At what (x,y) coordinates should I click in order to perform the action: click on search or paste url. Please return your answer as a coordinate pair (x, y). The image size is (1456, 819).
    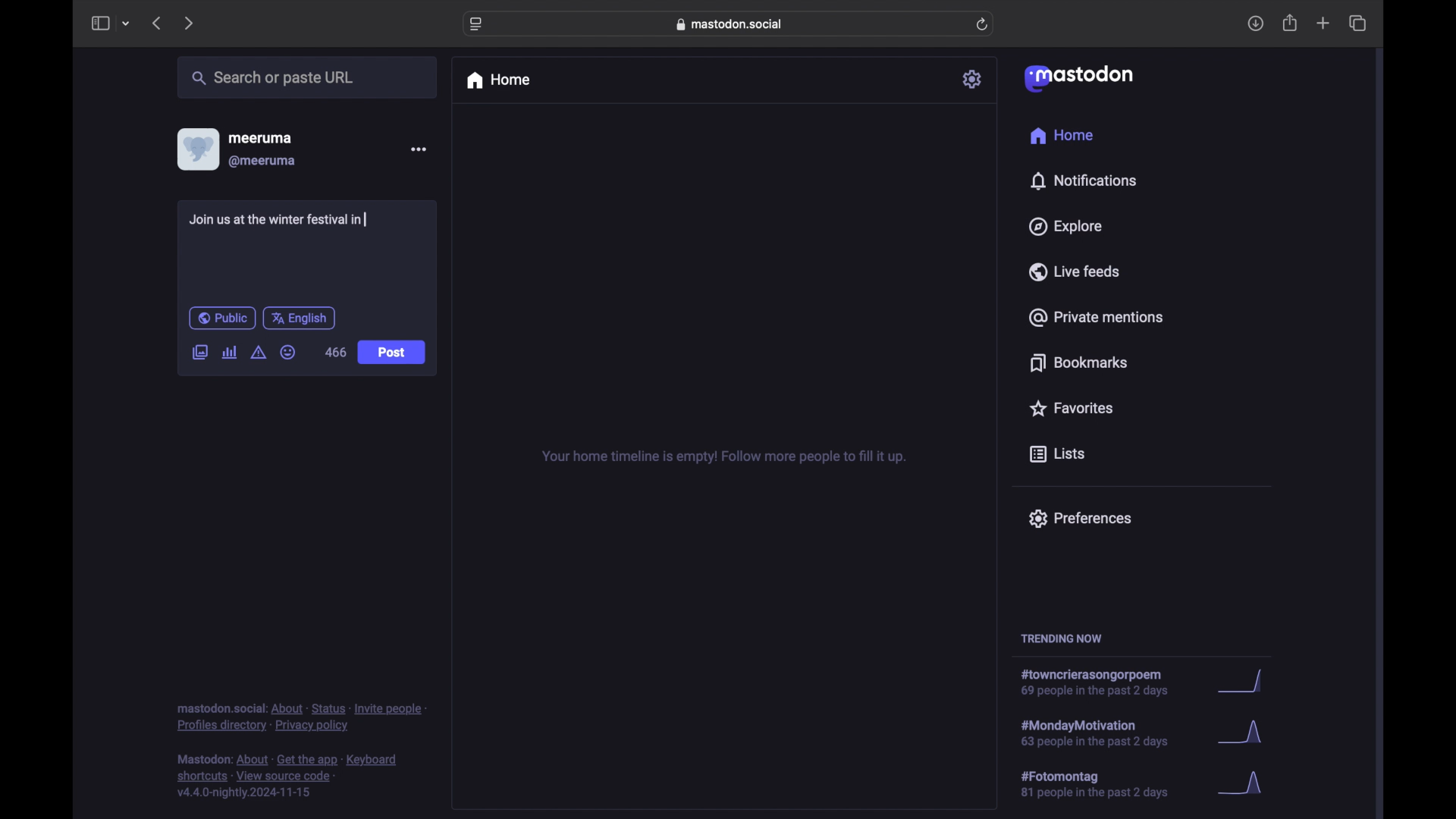
    Looking at the image, I should click on (272, 78).